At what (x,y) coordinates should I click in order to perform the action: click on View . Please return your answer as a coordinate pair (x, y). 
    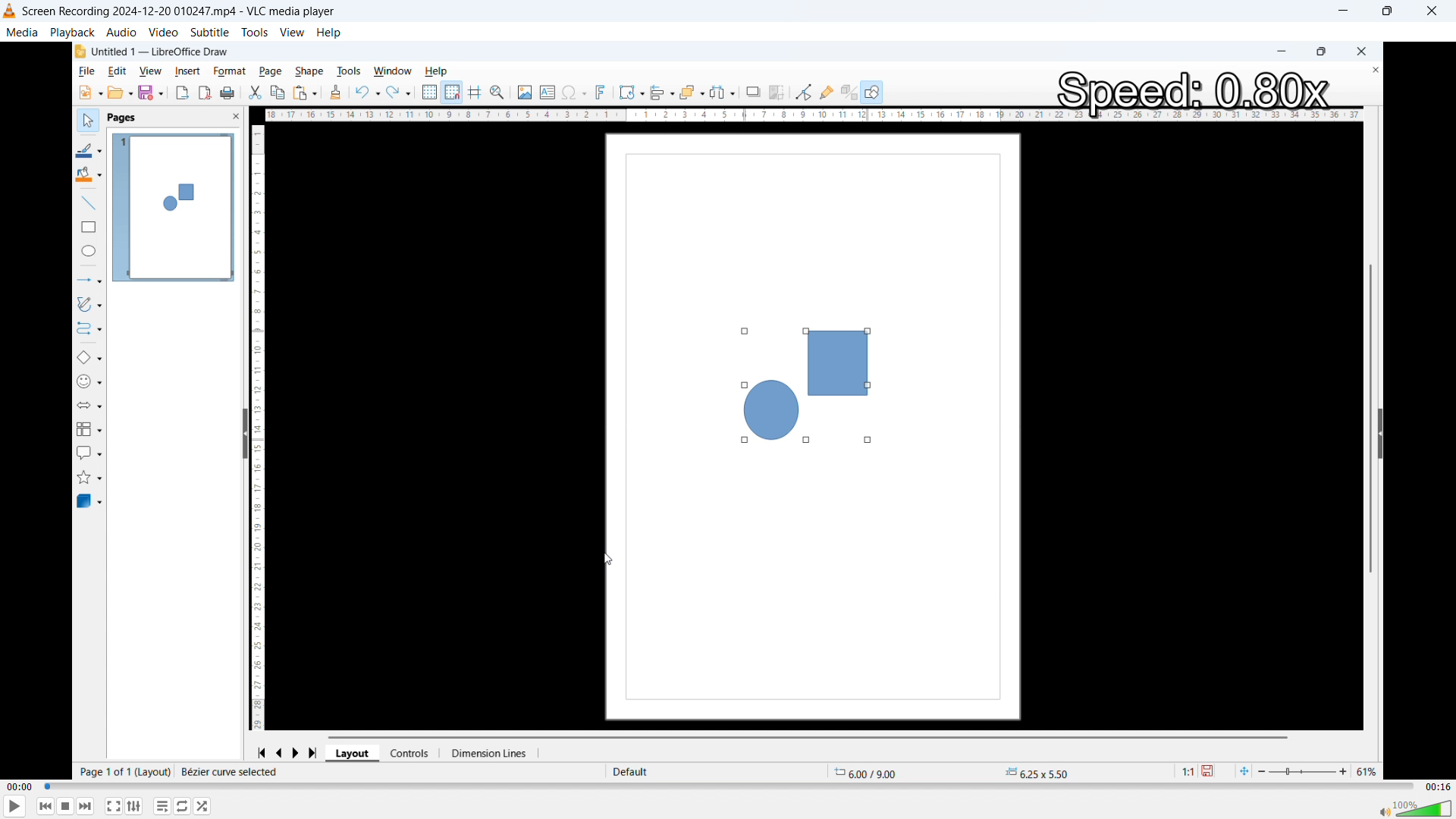
    Looking at the image, I should click on (292, 31).